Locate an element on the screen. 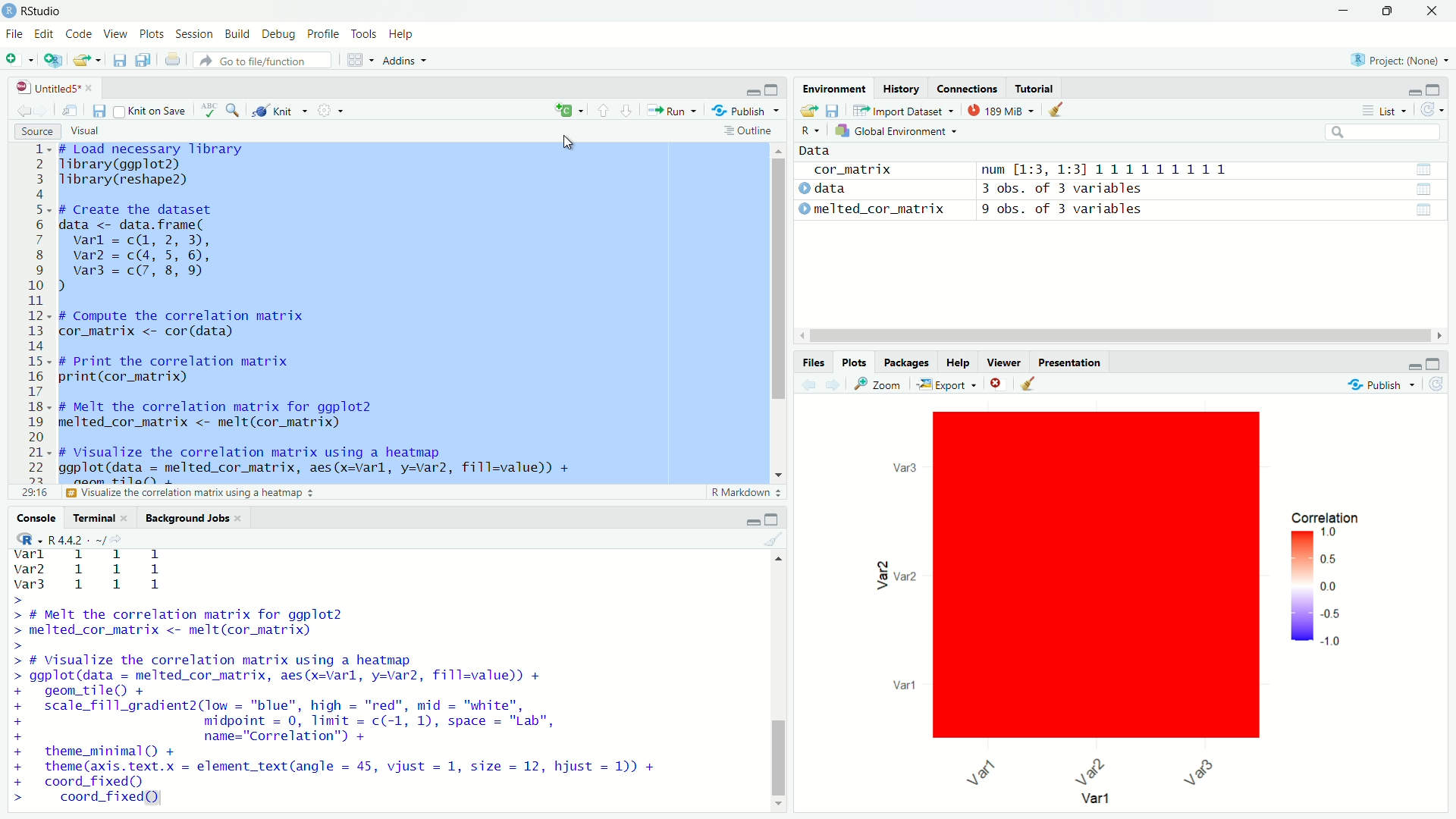 Image resolution: width=1456 pixels, height=819 pixels. lines is located at coordinates (39, 321).